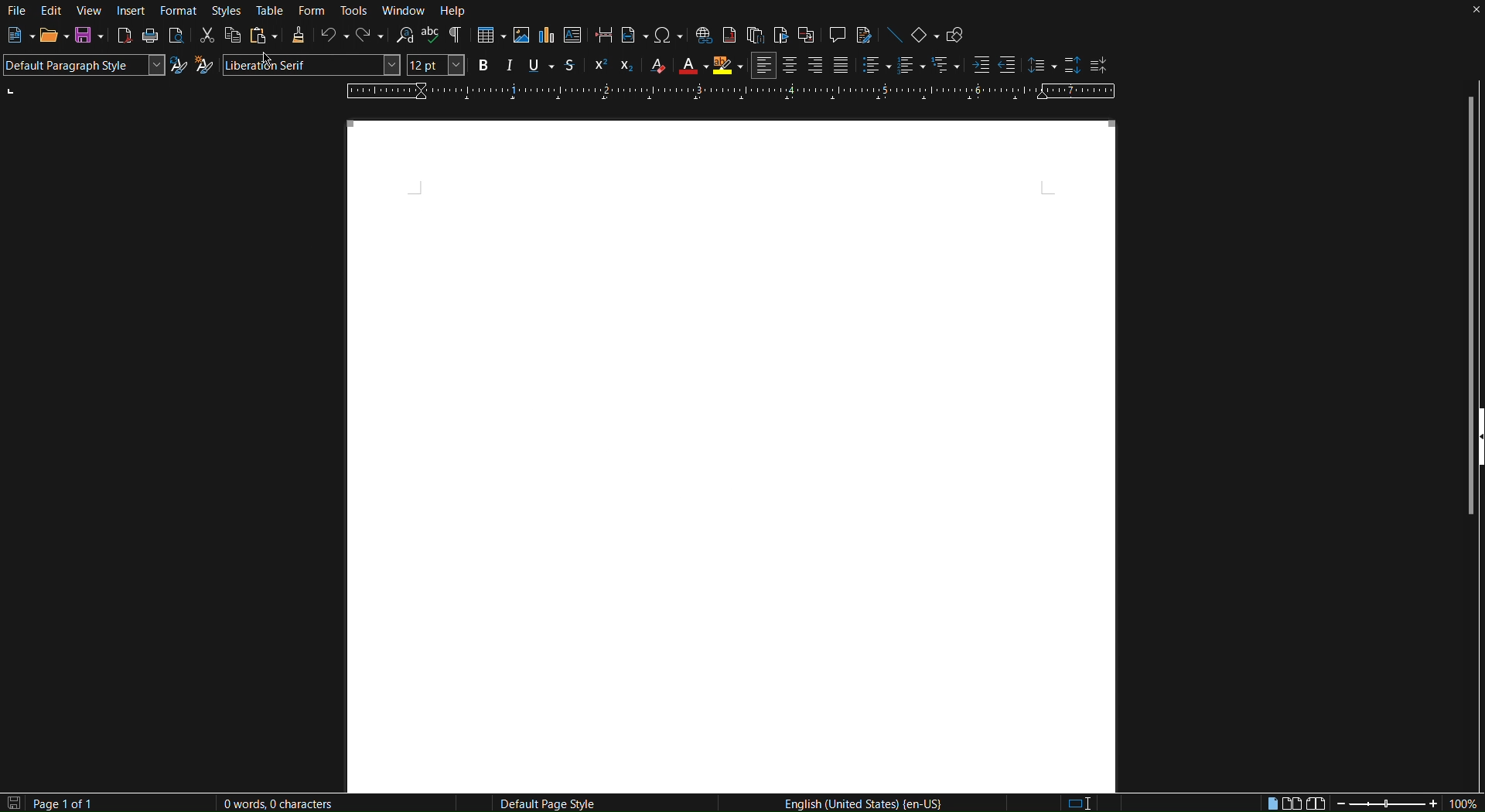 The width and height of the screenshot is (1485, 812). I want to click on Decrease Paragraph Spacing, so click(1100, 66).